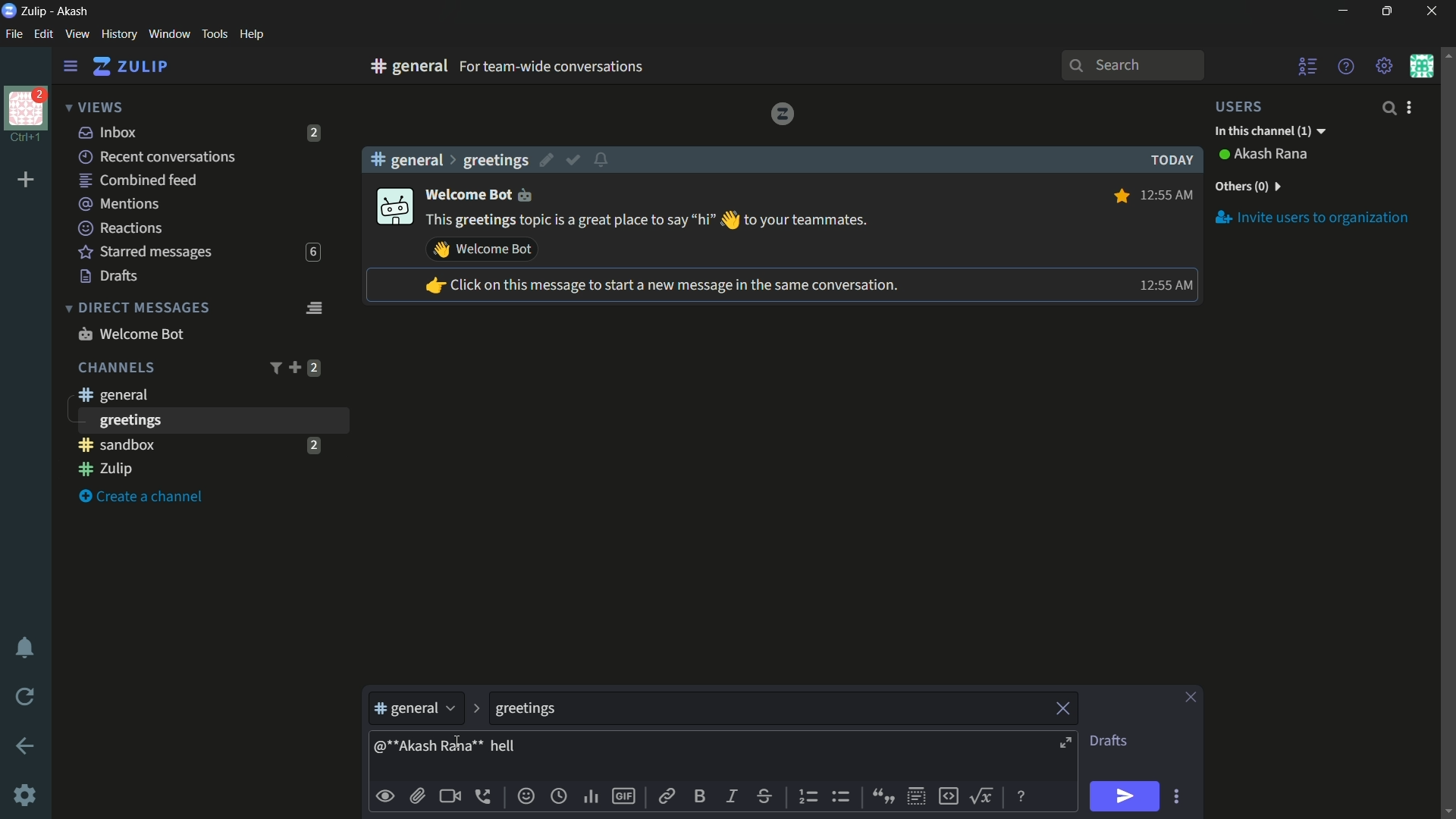  What do you see at coordinates (314, 368) in the screenshot?
I see `2 unread messages` at bounding box center [314, 368].